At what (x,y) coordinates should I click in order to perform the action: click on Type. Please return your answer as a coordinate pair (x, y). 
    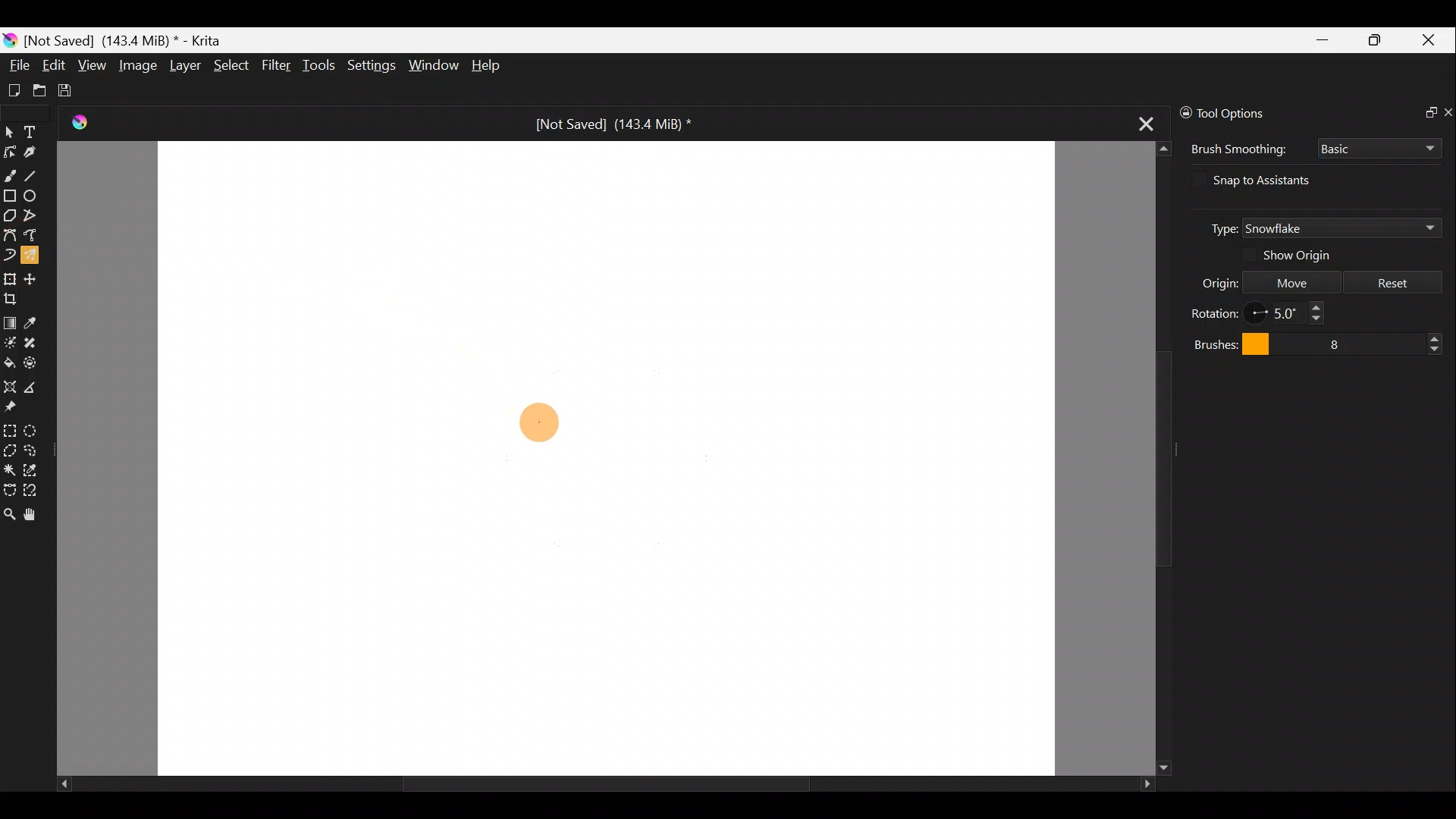
    Looking at the image, I should click on (1216, 227).